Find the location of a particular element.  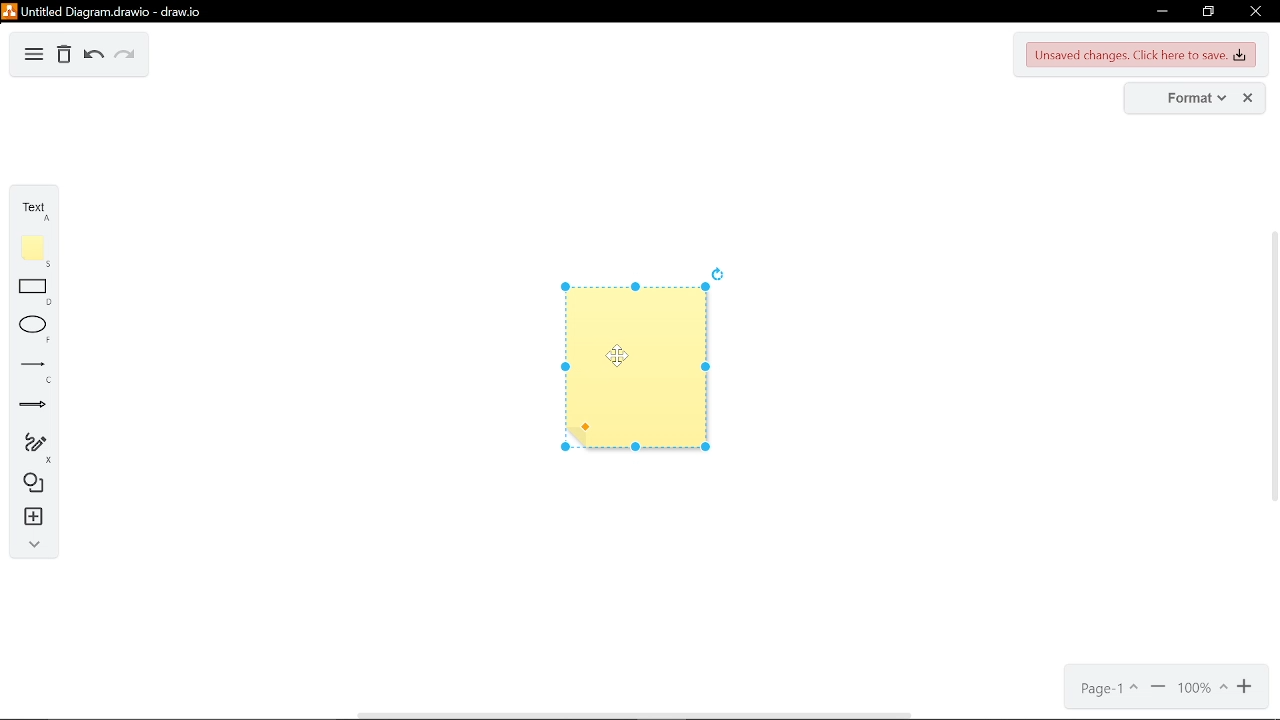

close is located at coordinates (1249, 98).